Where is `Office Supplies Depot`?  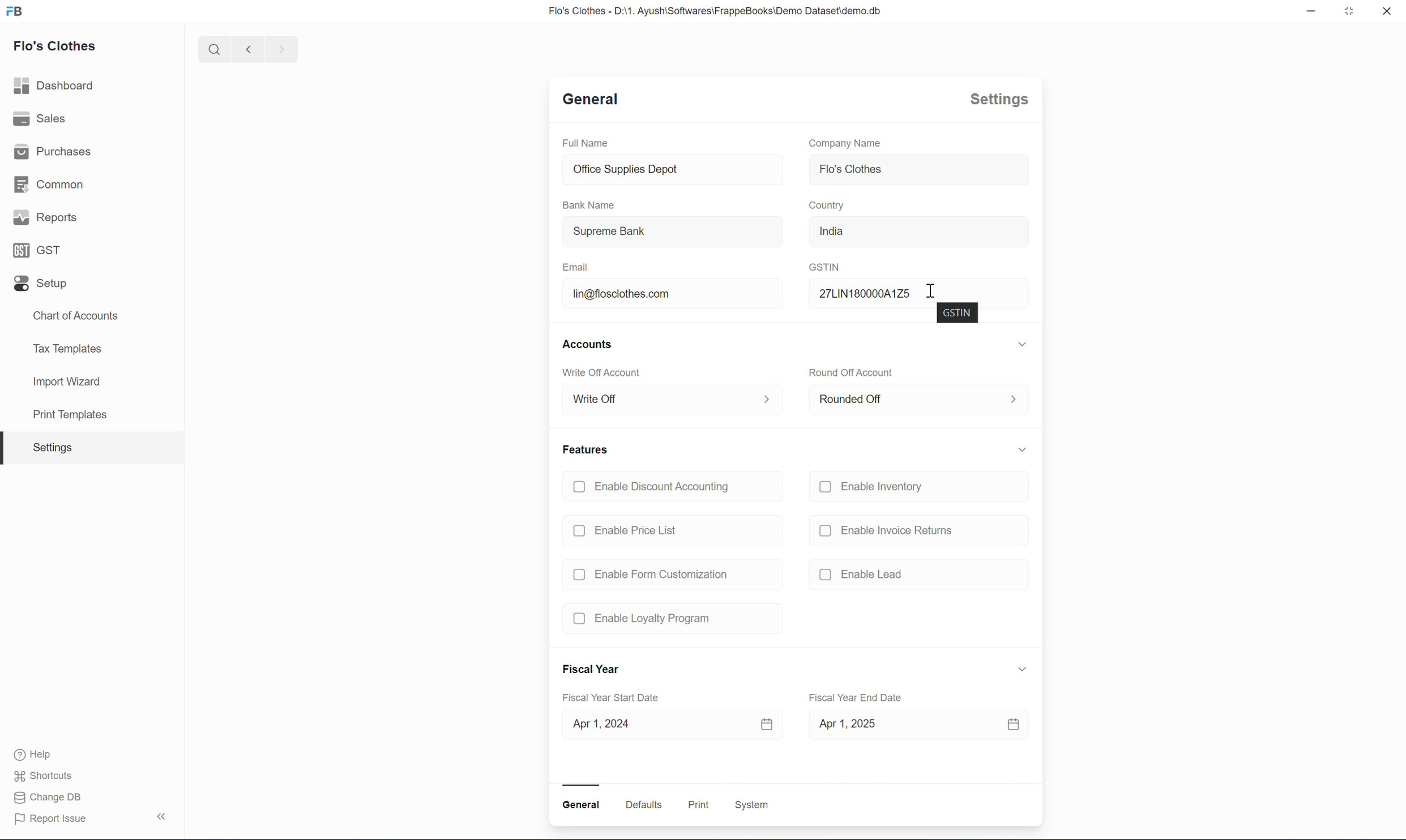 Office Supplies Depot is located at coordinates (673, 169).